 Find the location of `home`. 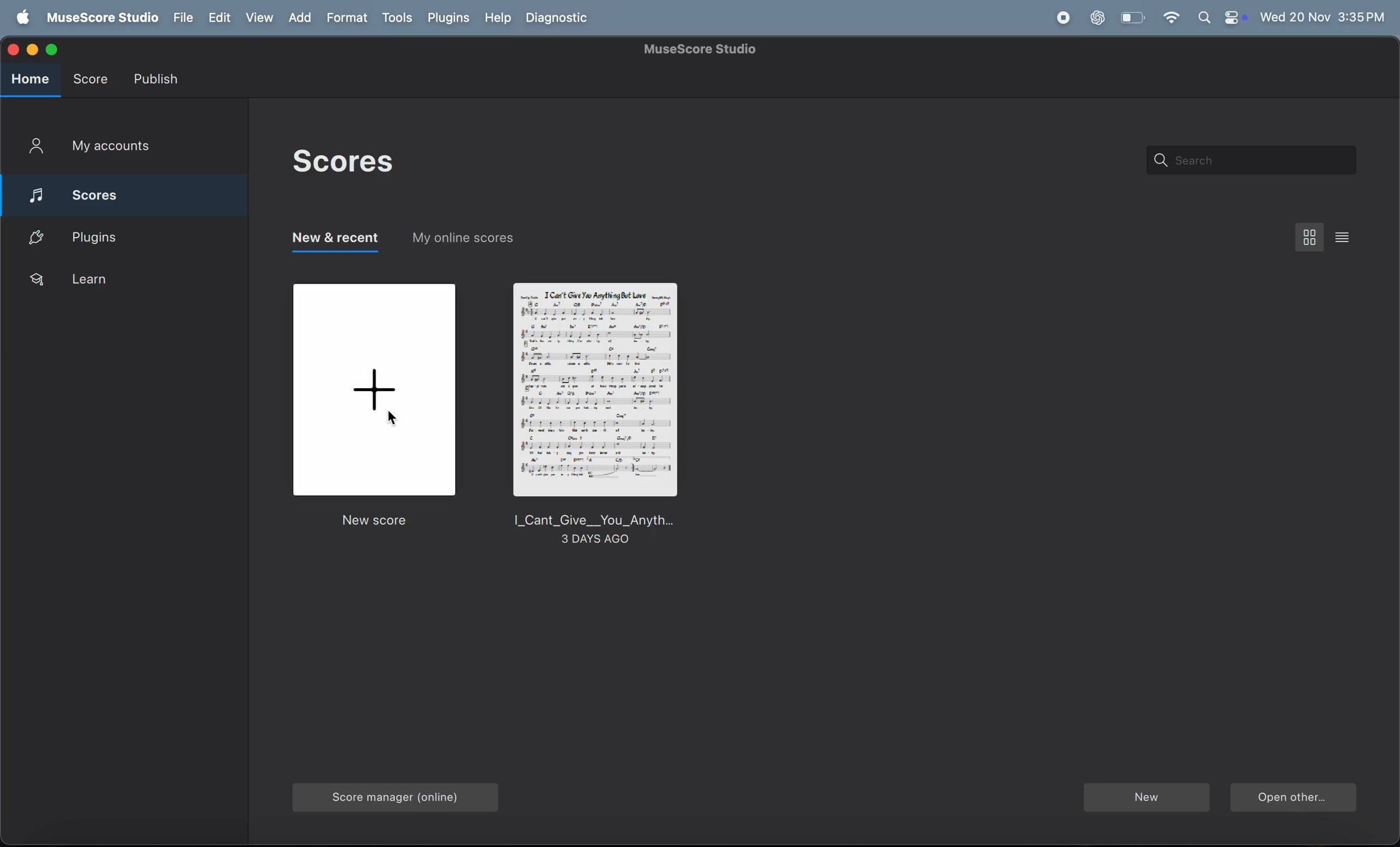

home is located at coordinates (31, 80).